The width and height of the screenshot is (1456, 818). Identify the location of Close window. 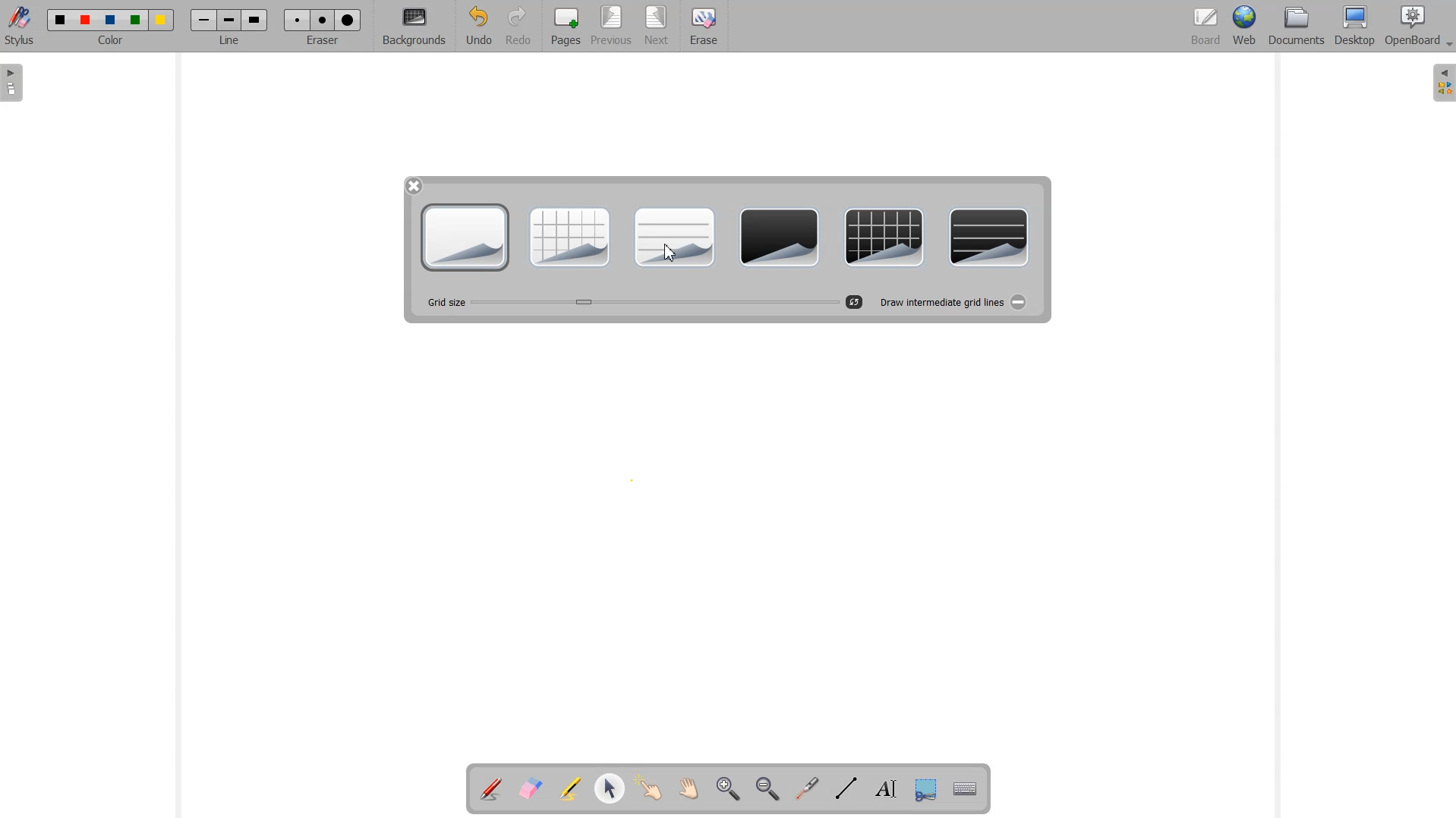
(414, 185).